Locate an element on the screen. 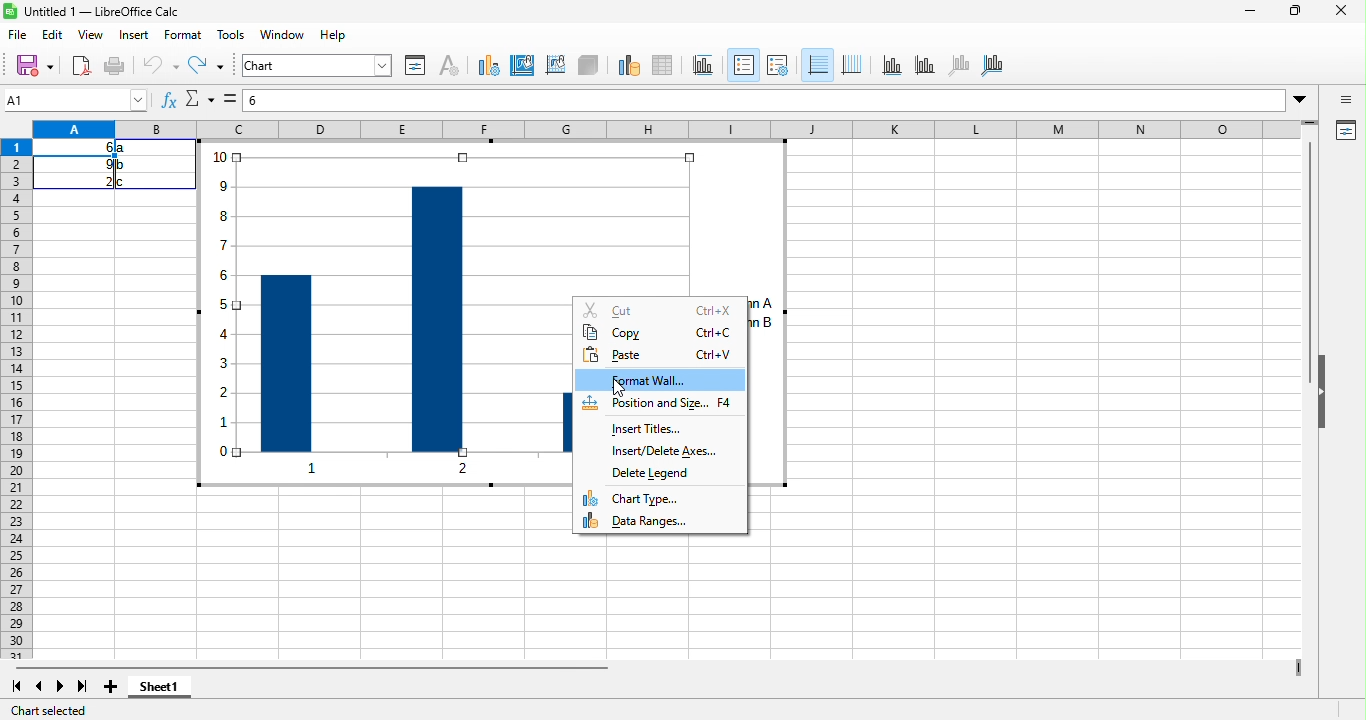 This screenshot has width=1366, height=720. first is located at coordinates (21, 688).